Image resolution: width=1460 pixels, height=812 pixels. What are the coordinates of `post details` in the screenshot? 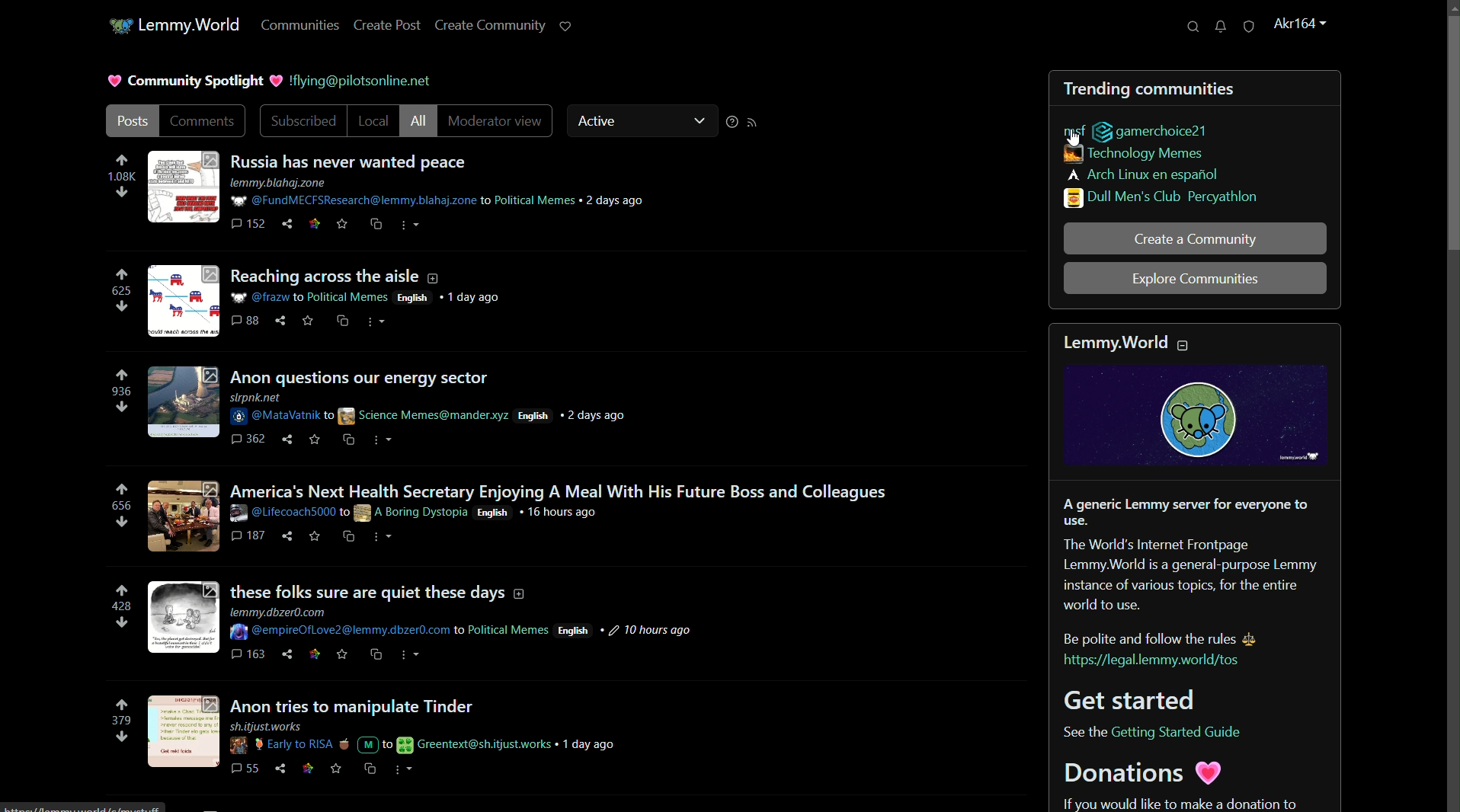 It's located at (436, 407).